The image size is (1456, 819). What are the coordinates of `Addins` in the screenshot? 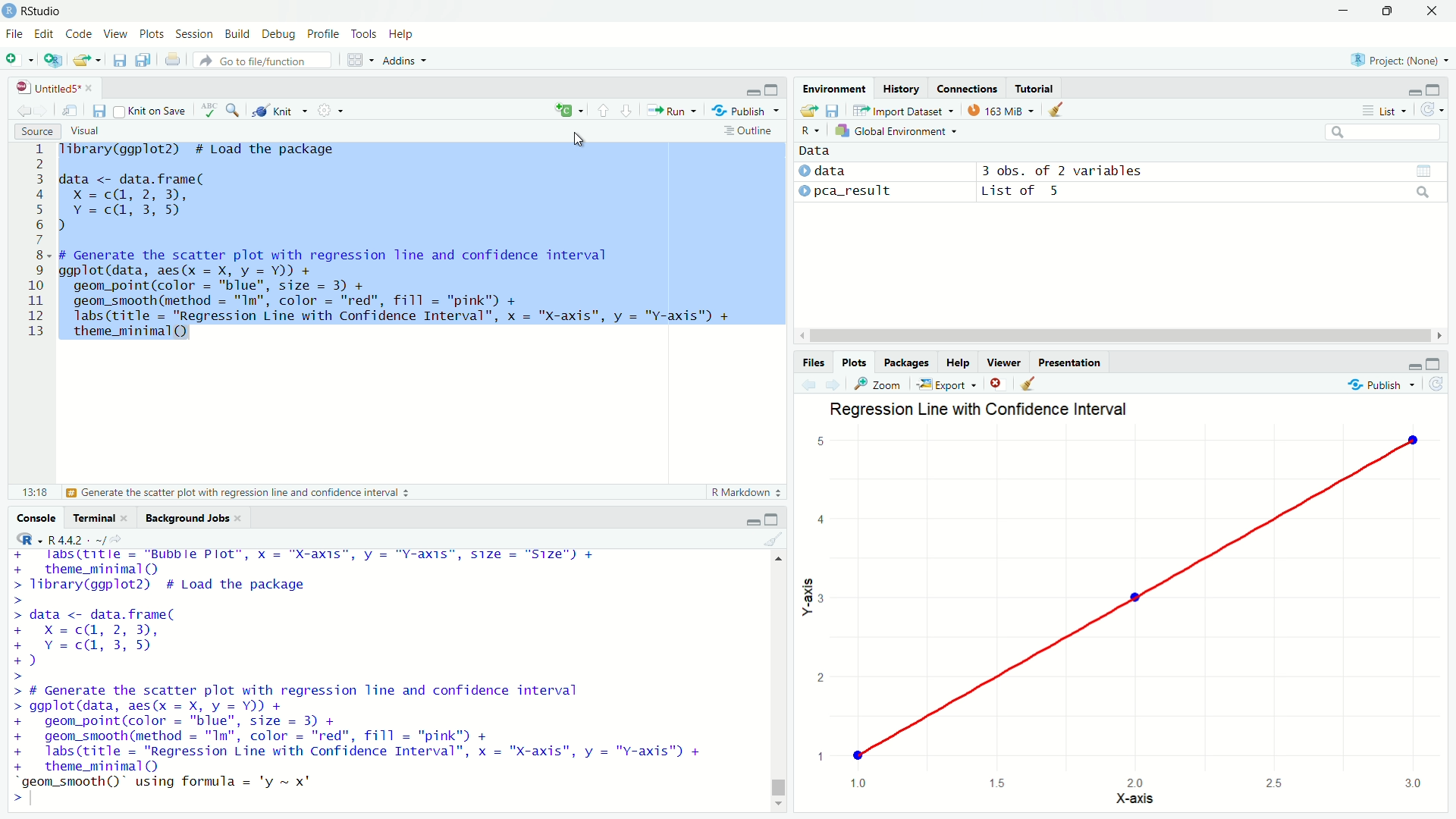 It's located at (404, 60).